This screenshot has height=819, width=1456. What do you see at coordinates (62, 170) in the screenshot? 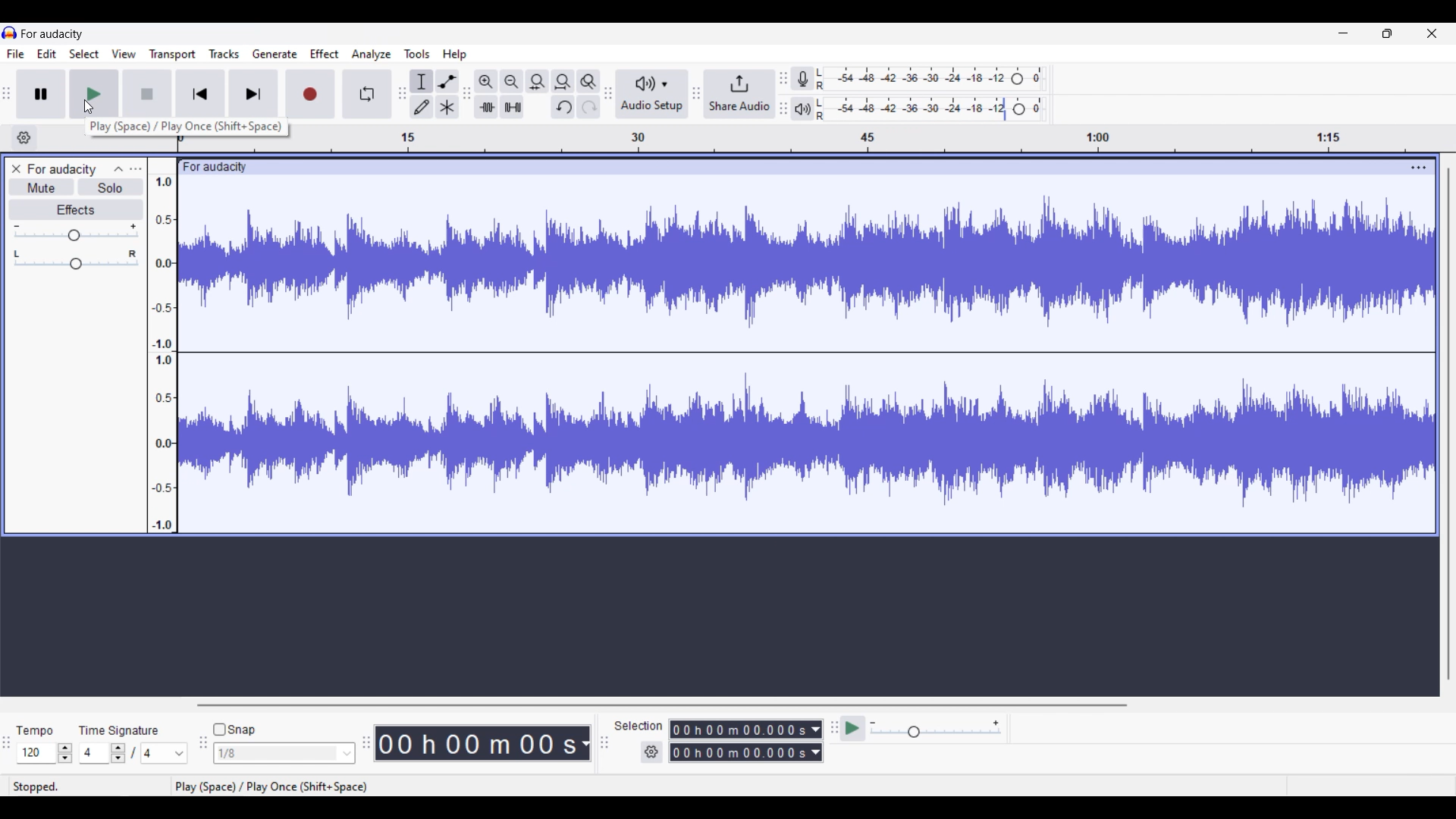
I see `Project name` at bounding box center [62, 170].